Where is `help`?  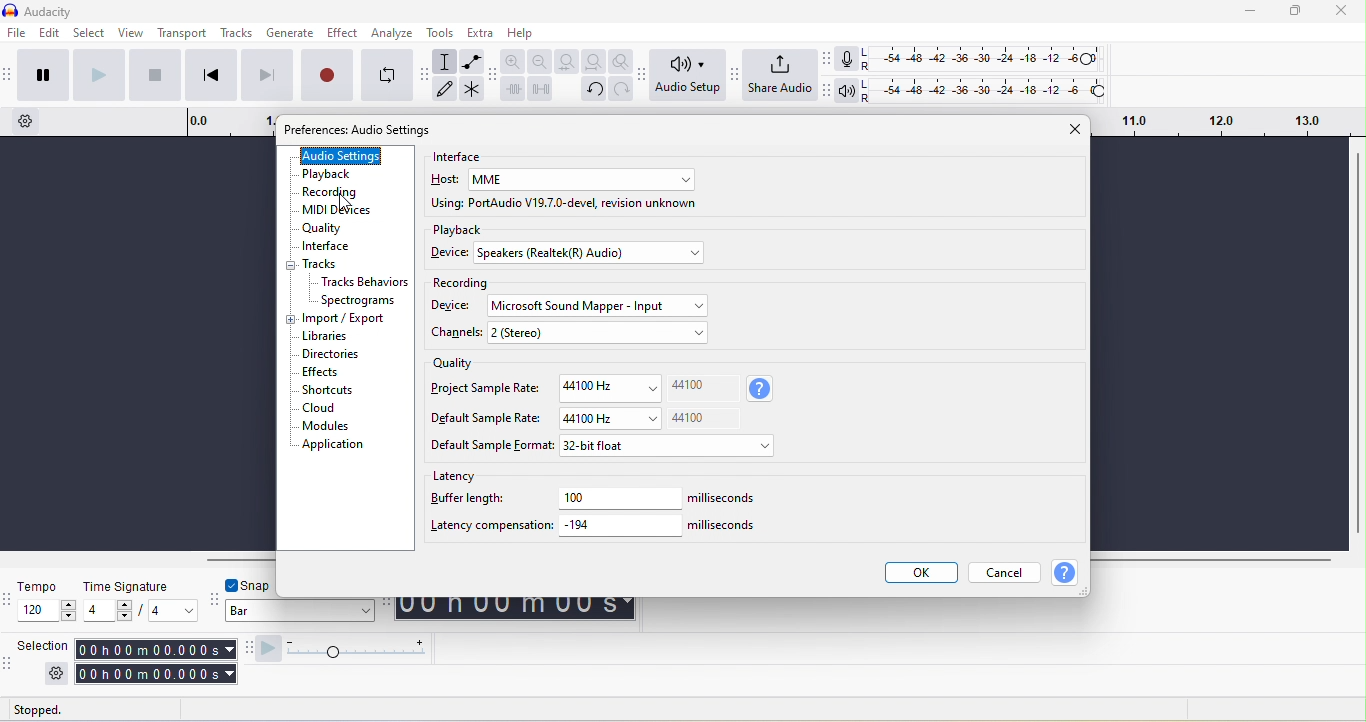 help is located at coordinates (521, 33).